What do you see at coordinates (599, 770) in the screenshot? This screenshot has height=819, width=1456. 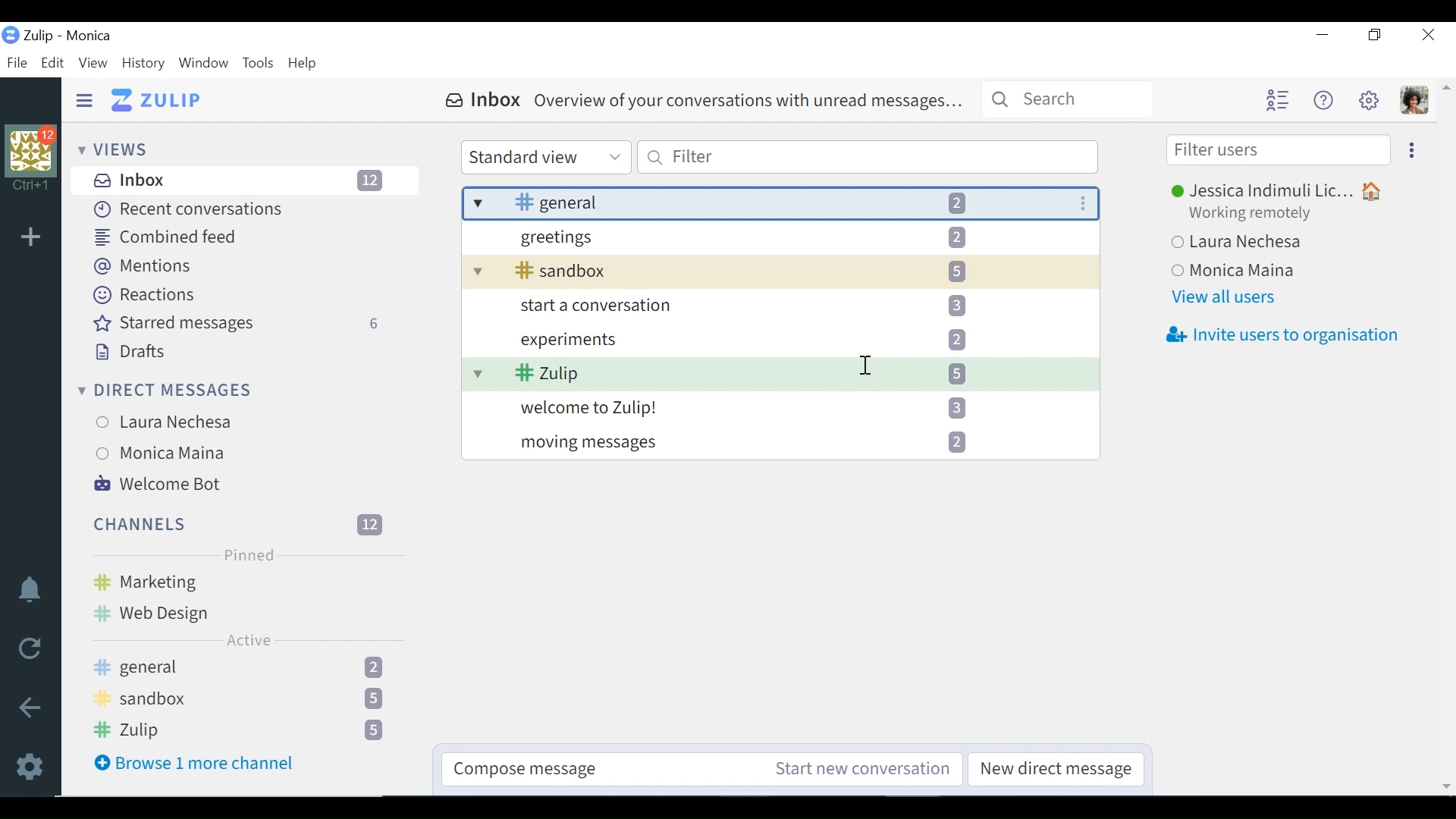 I see `Compose message` at bounding box center [599, 770].